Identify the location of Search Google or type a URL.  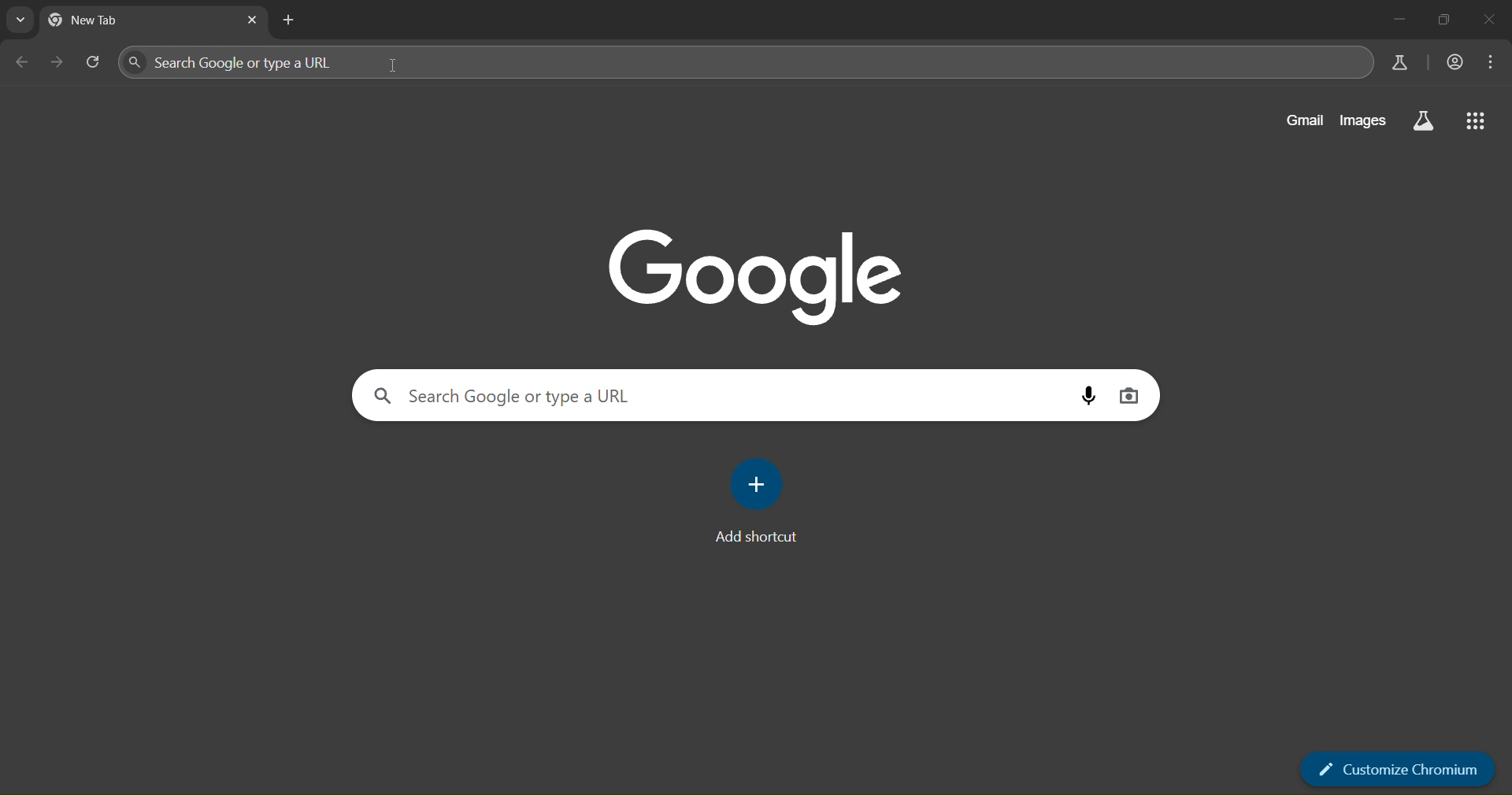
(743, 62).